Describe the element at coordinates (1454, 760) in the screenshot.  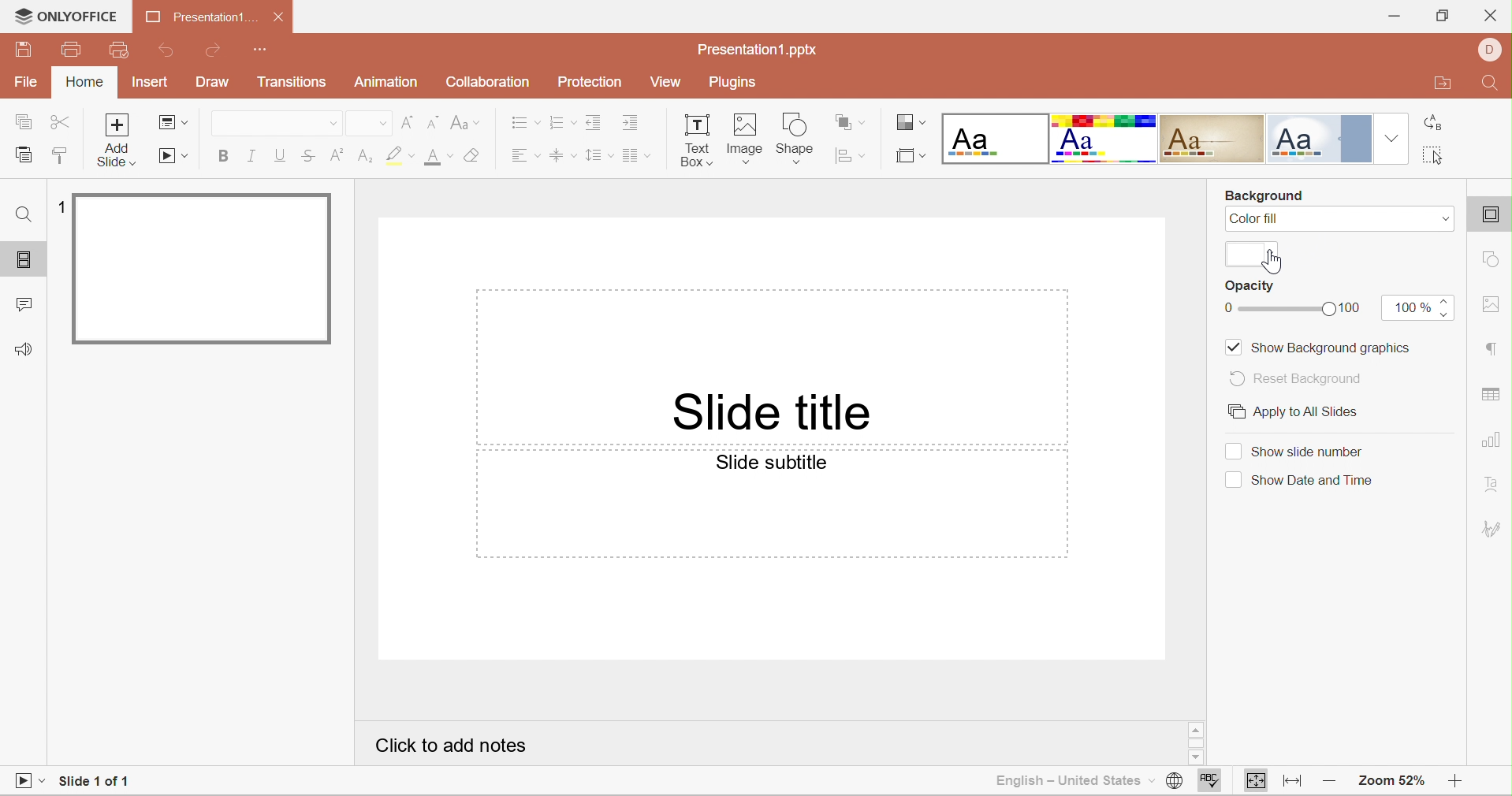
I see `Scroll Down` at that location.